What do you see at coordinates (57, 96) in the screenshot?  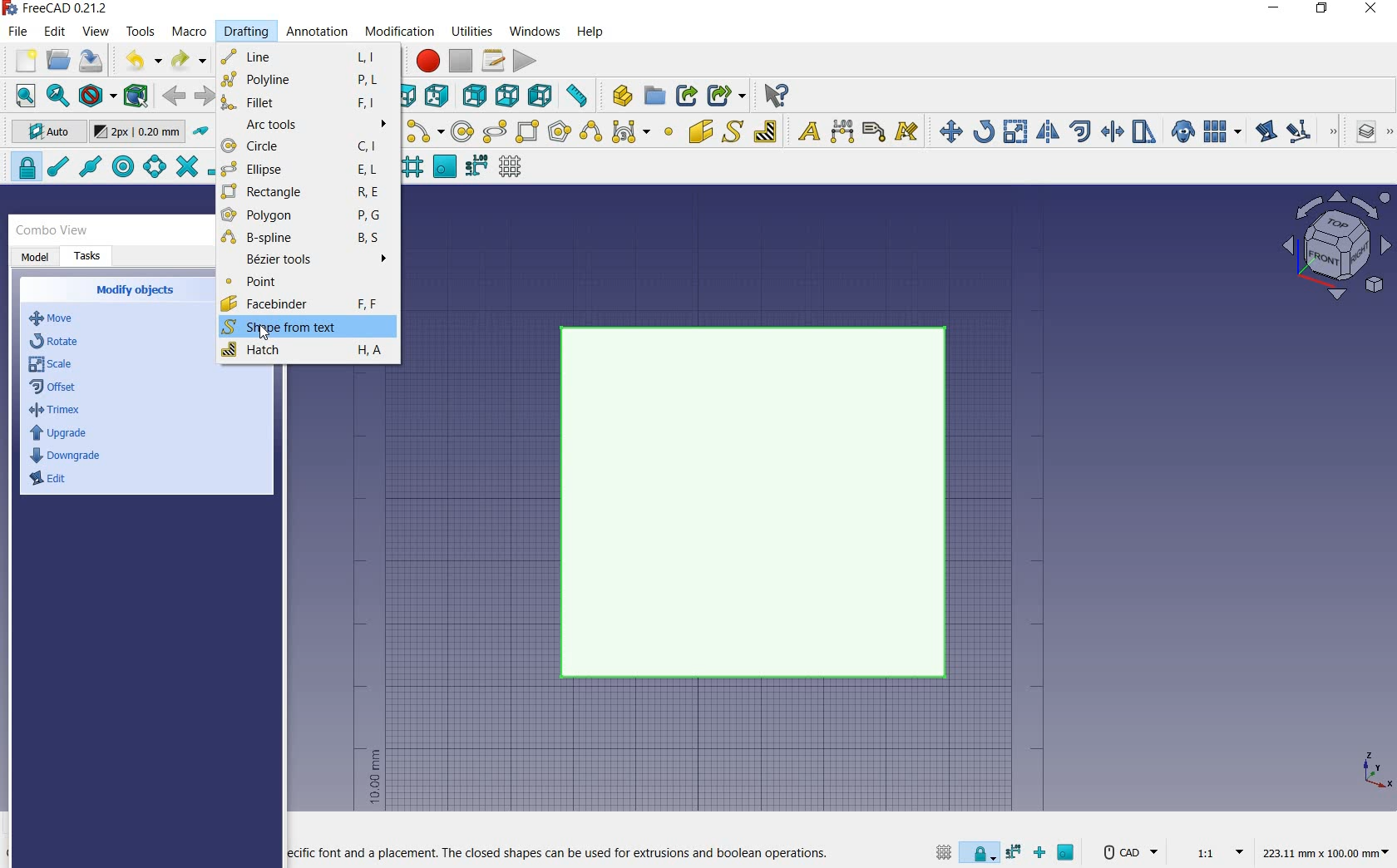 I see `fit selection` at bounding box center [57, 96].